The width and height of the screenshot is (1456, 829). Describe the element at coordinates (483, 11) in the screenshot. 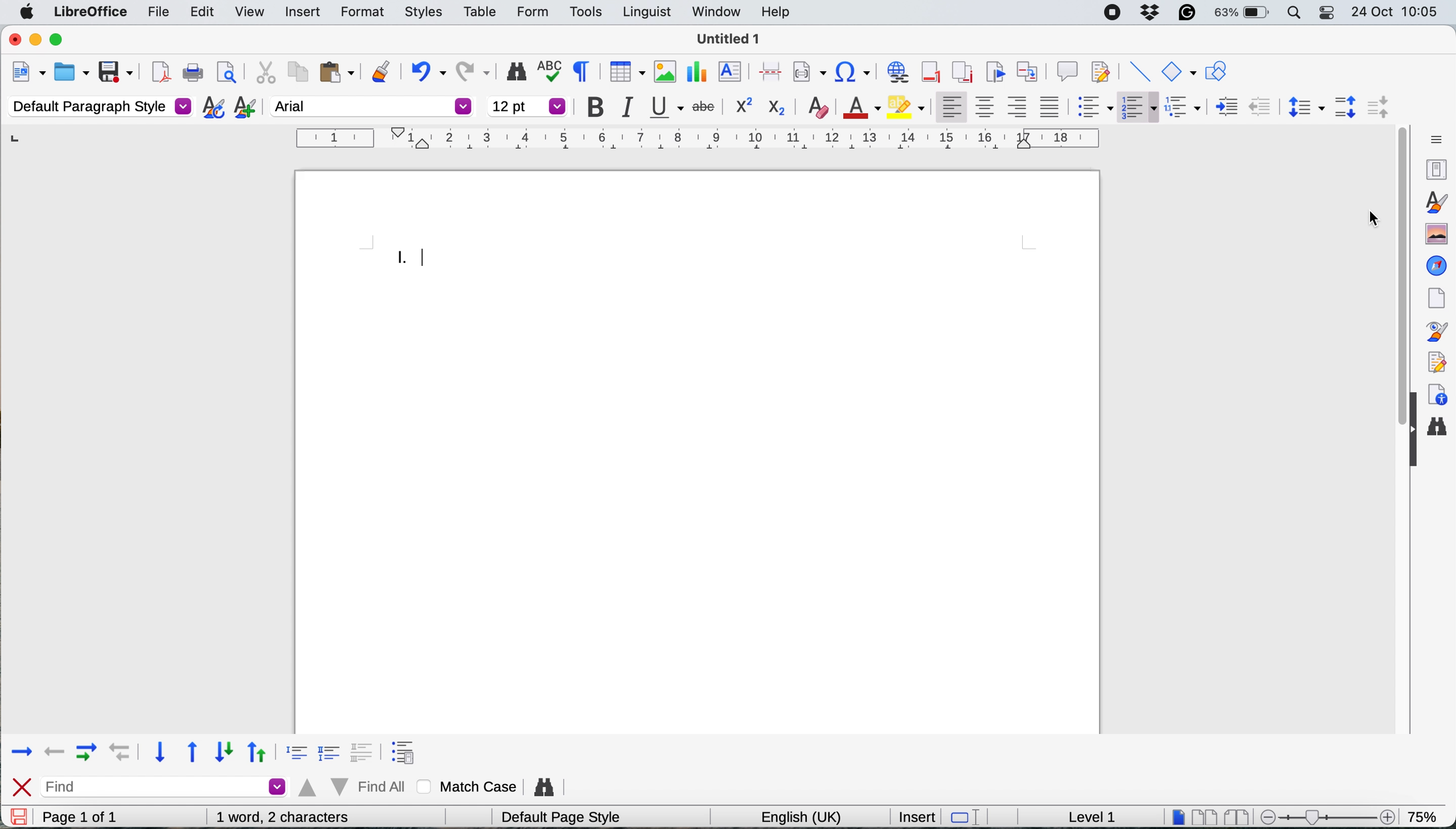

I see `table` at that location.